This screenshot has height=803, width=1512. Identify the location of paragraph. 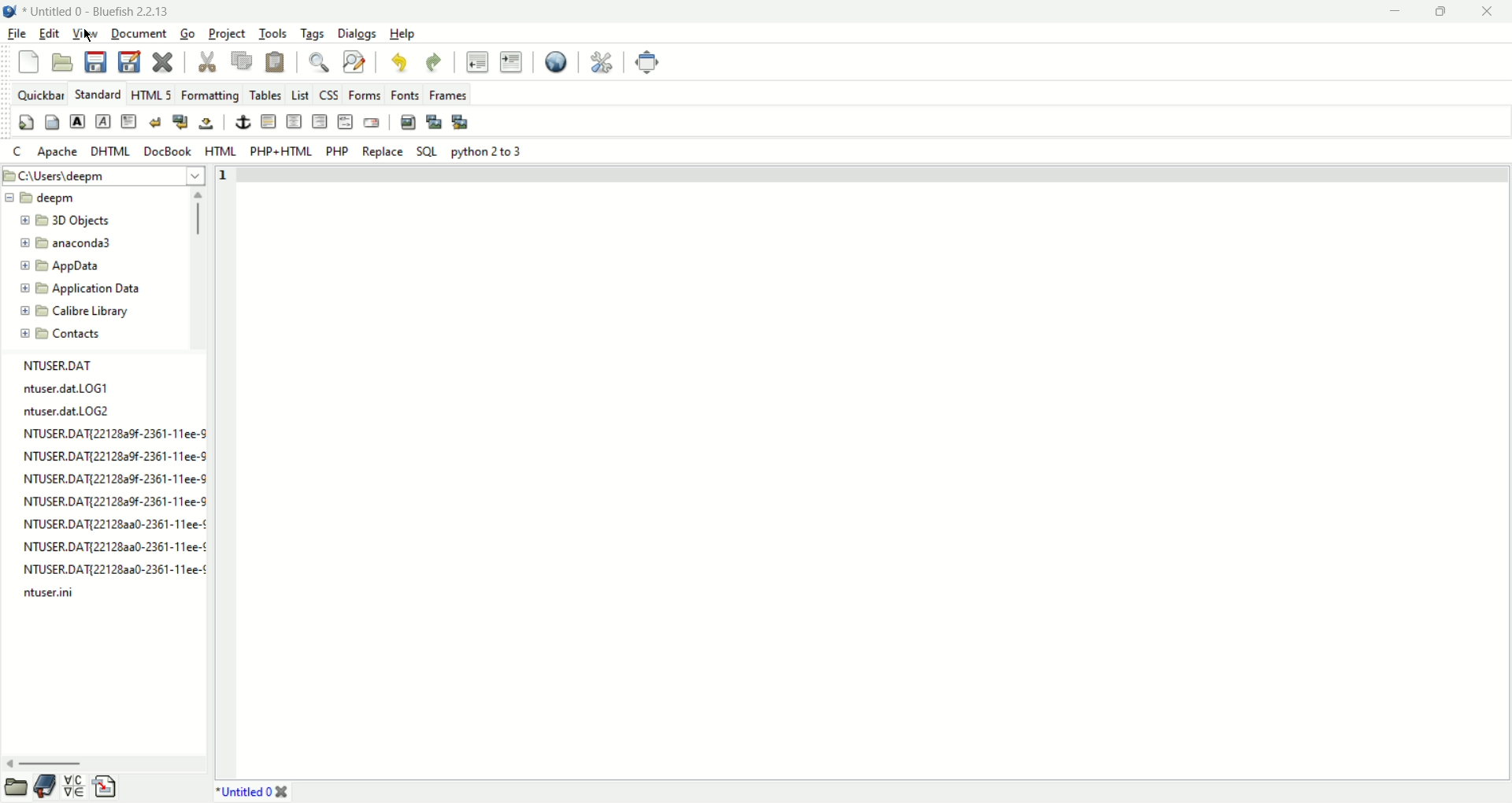
(130, 122).